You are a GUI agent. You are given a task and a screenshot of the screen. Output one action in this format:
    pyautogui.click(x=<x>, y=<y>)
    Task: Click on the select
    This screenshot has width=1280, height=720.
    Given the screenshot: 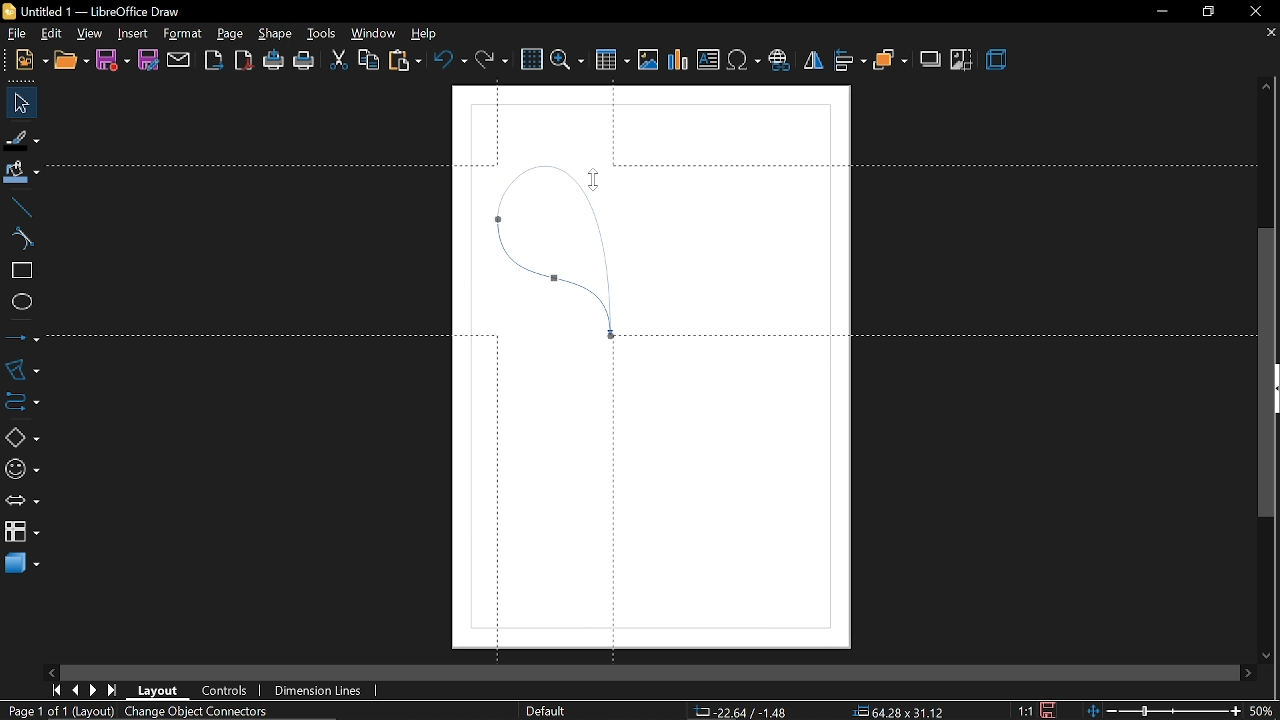 What is the action you would take?
    pyautogui.click(x=18, y=103)
    